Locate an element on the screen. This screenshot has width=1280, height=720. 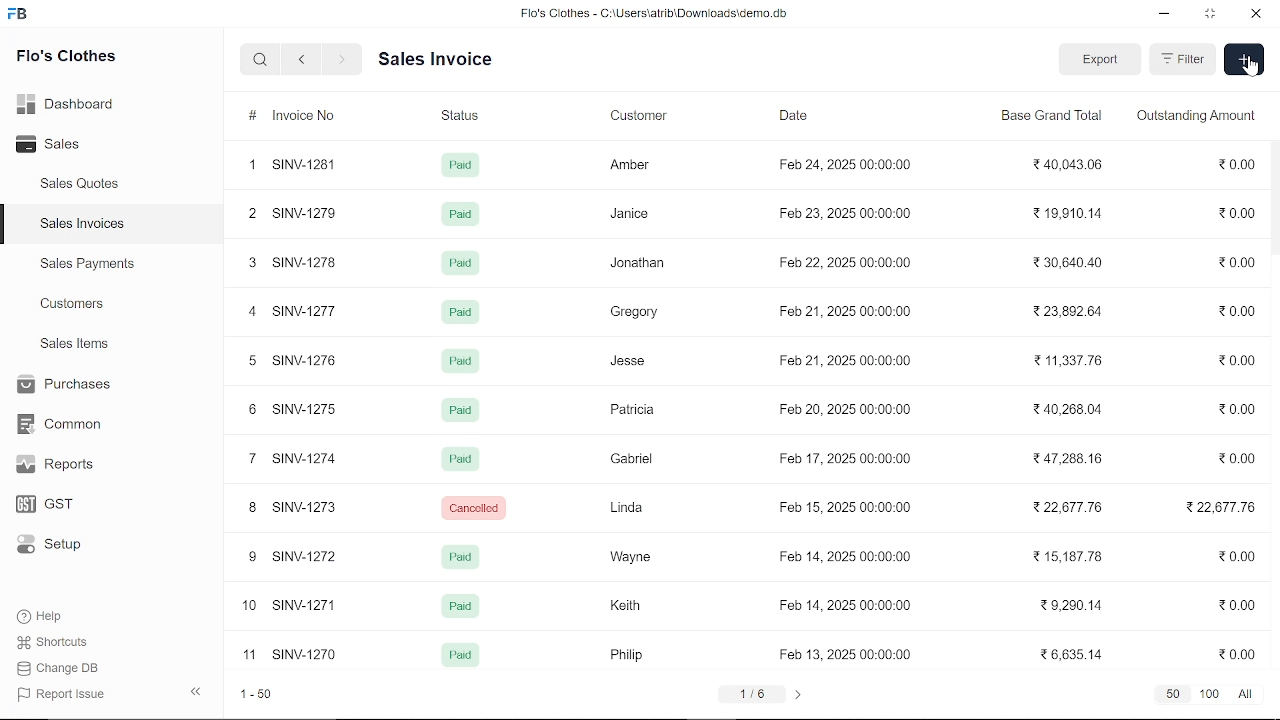
5 SINV-1276 Pad Jesse Feb 21, 2025 00:00:00 11,337.76  is located at coordinates (753, 364).